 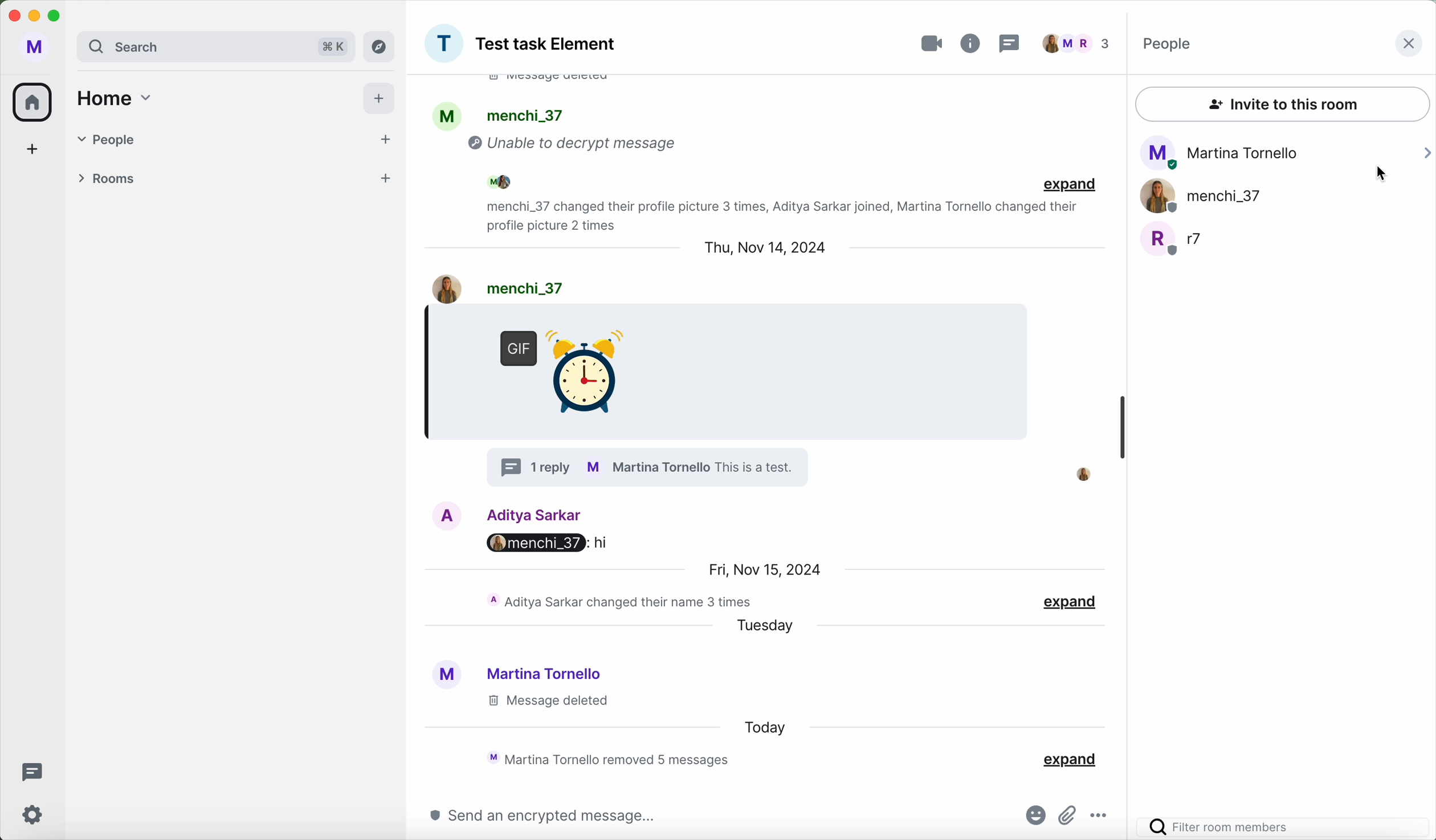 What do you see at coordinates (578, 146) in the screenshot?
I see `unable to decrypt message` at bounding box center [578, 146].